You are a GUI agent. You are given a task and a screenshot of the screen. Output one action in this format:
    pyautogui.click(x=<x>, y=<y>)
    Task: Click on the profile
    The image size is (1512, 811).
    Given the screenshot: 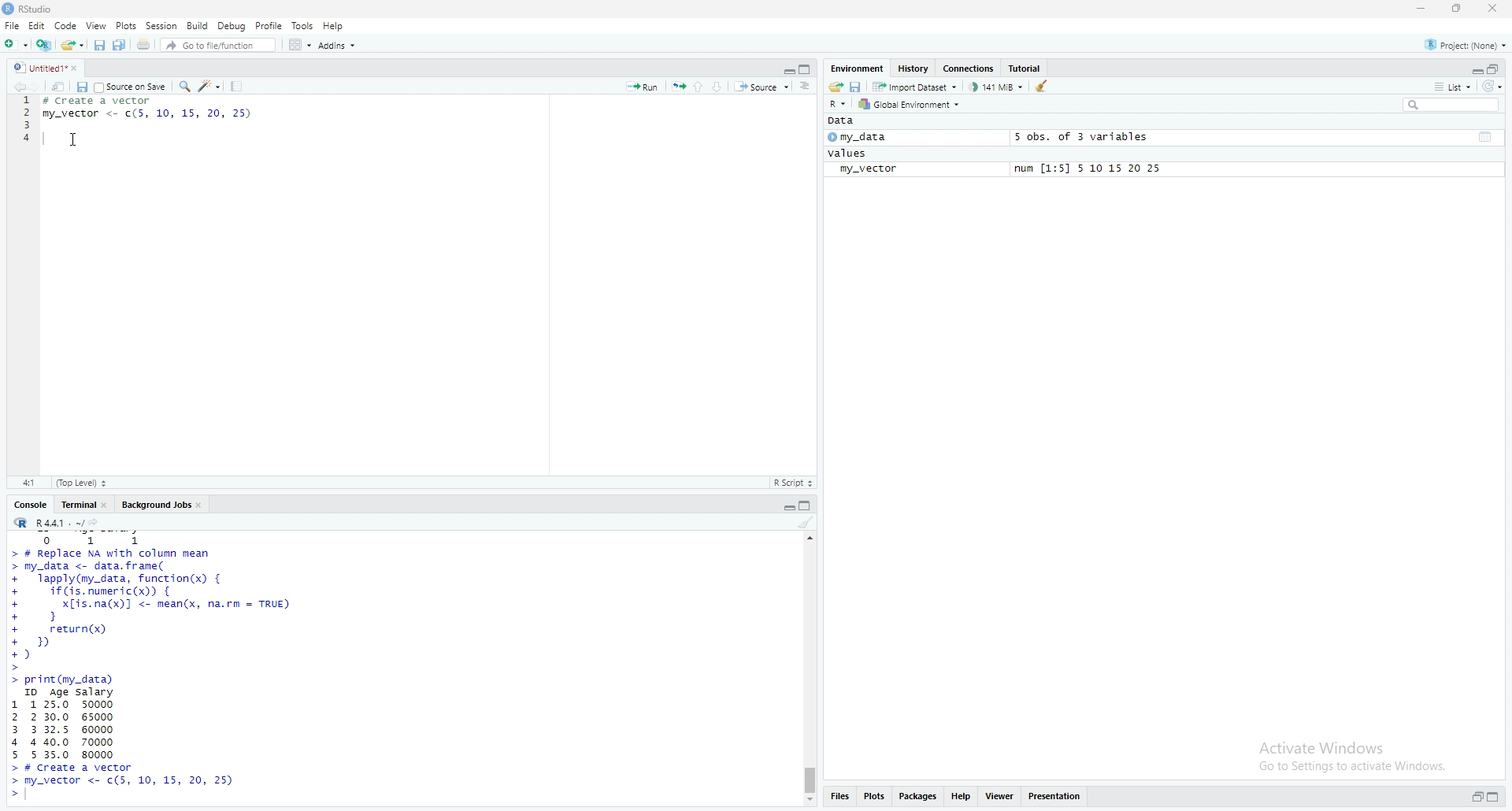 What is the action you would take?
    pyautogui.click(x=269, y=25)
    